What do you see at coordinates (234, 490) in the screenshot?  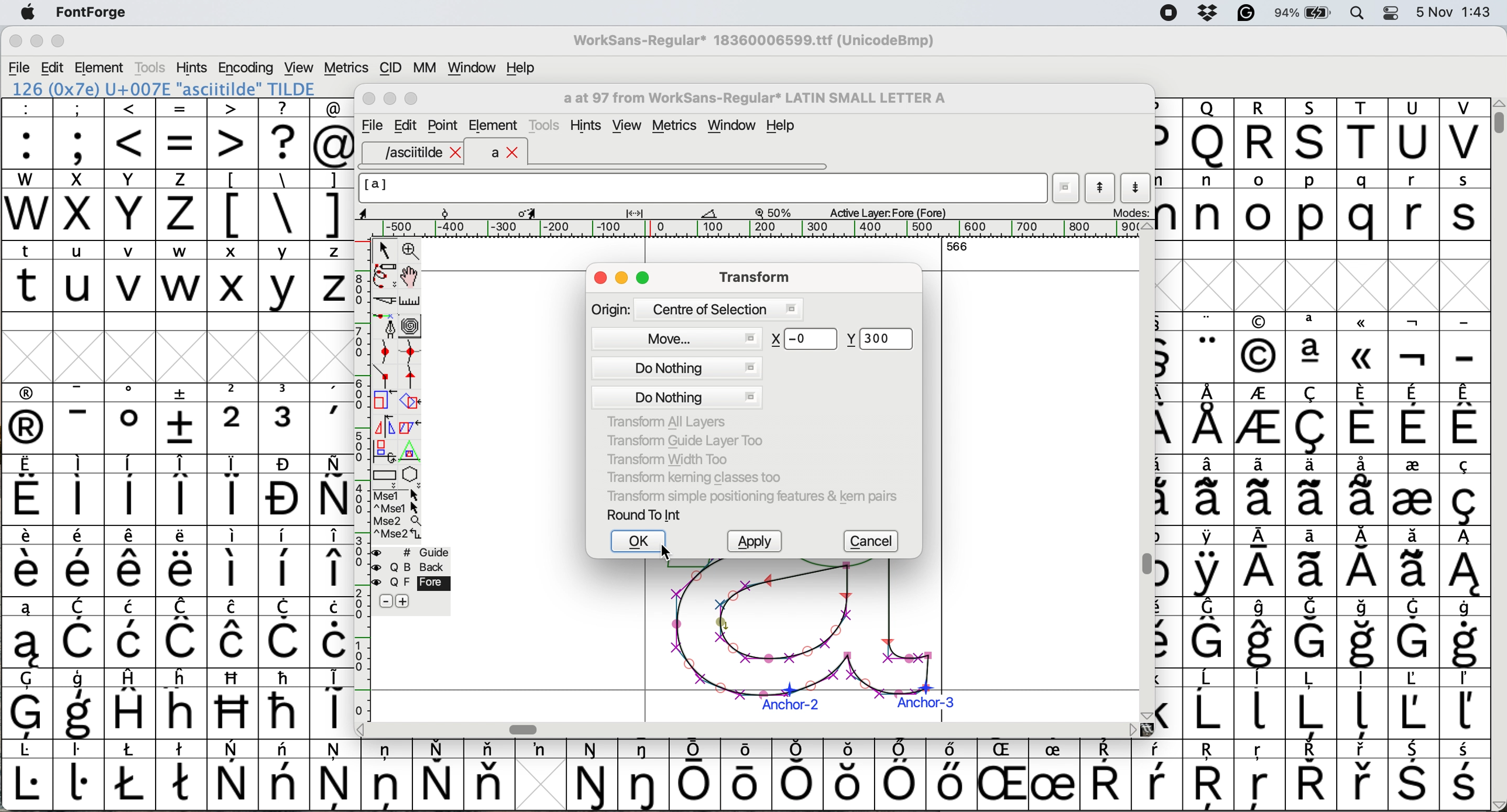 I see `symbol` at bounding box center [234, 490].